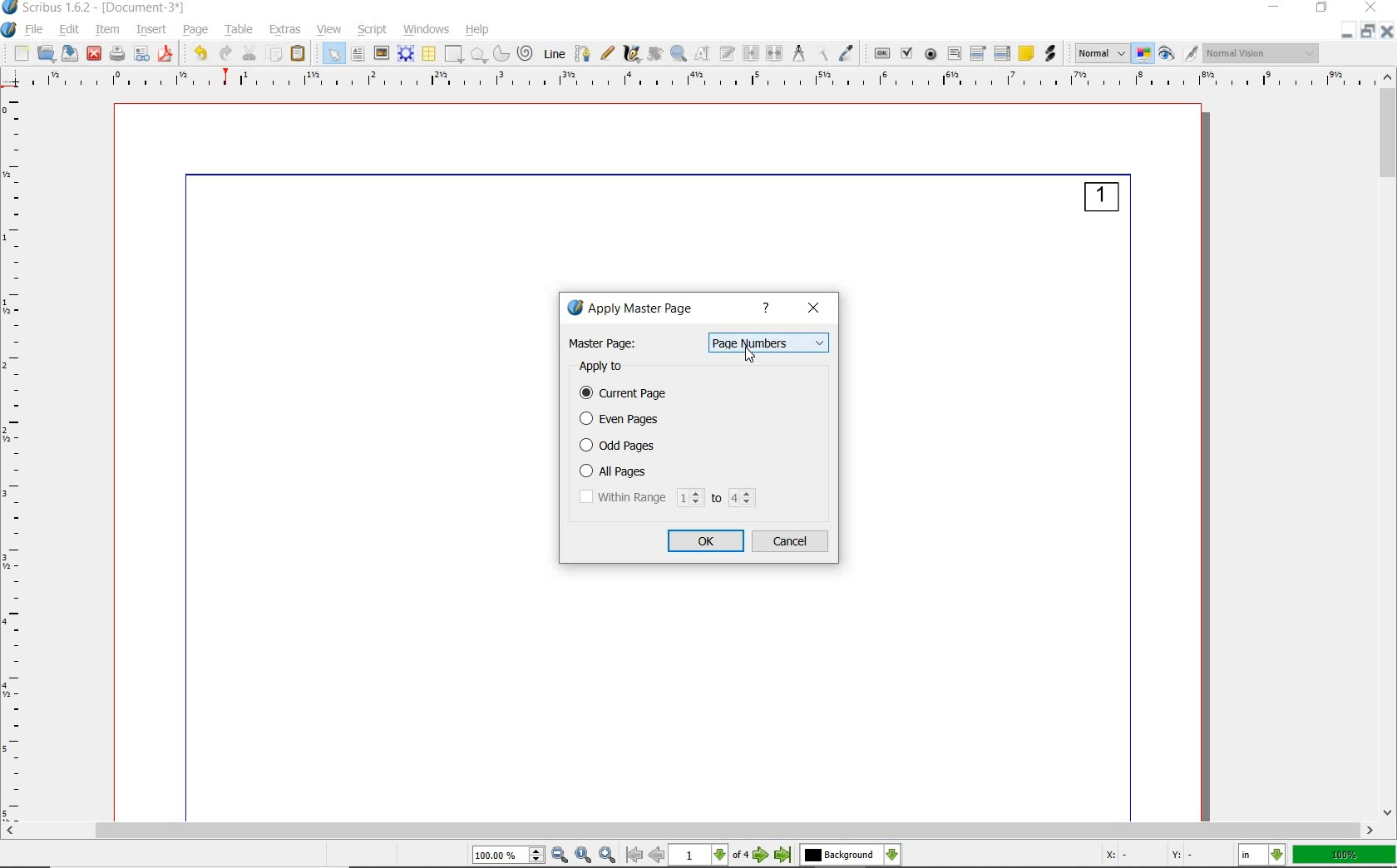 This screenshot has height=868, width=1397. I want to click on pdf check box, so click(908, 53).